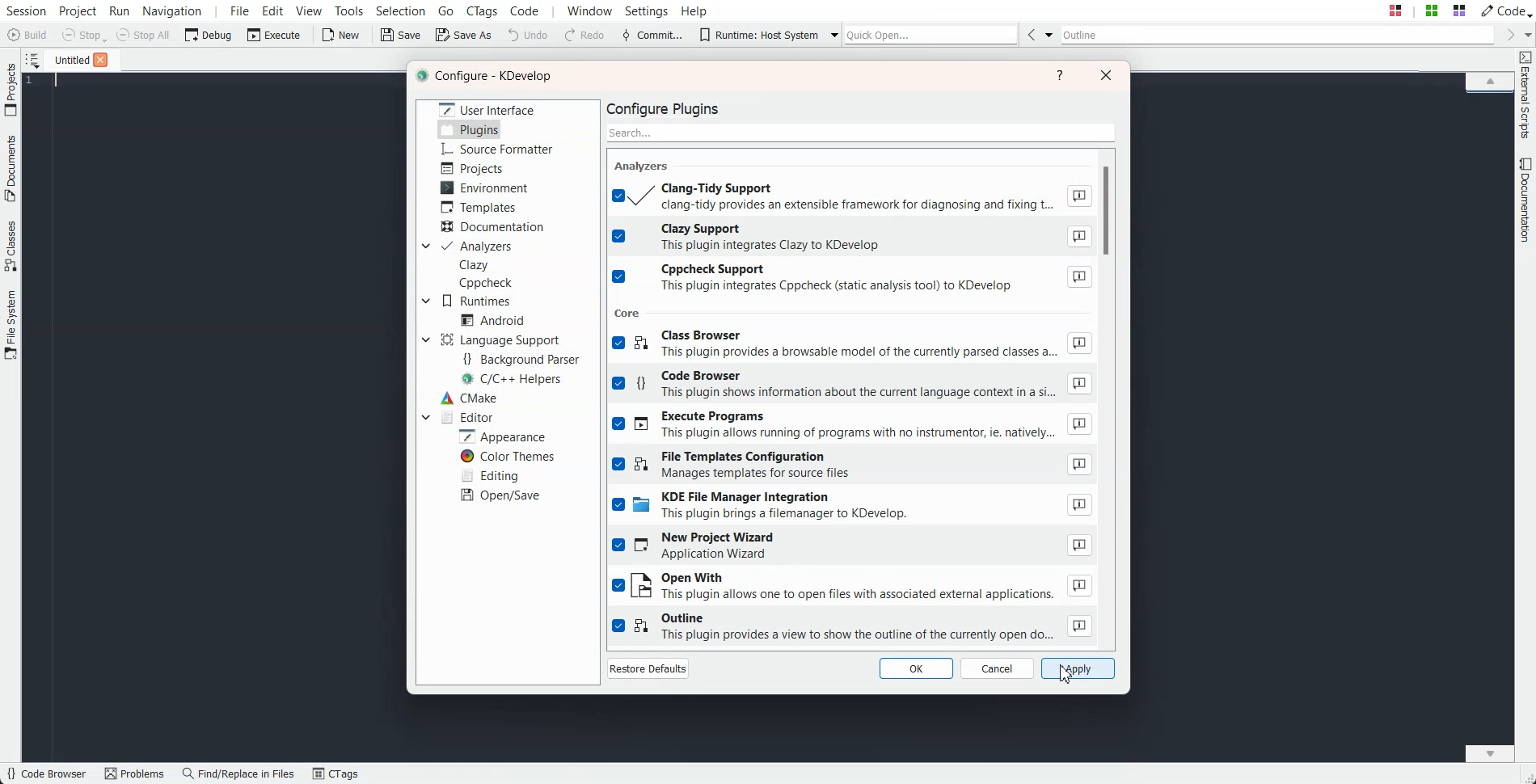  I want to click on Project, so click(11, 89).